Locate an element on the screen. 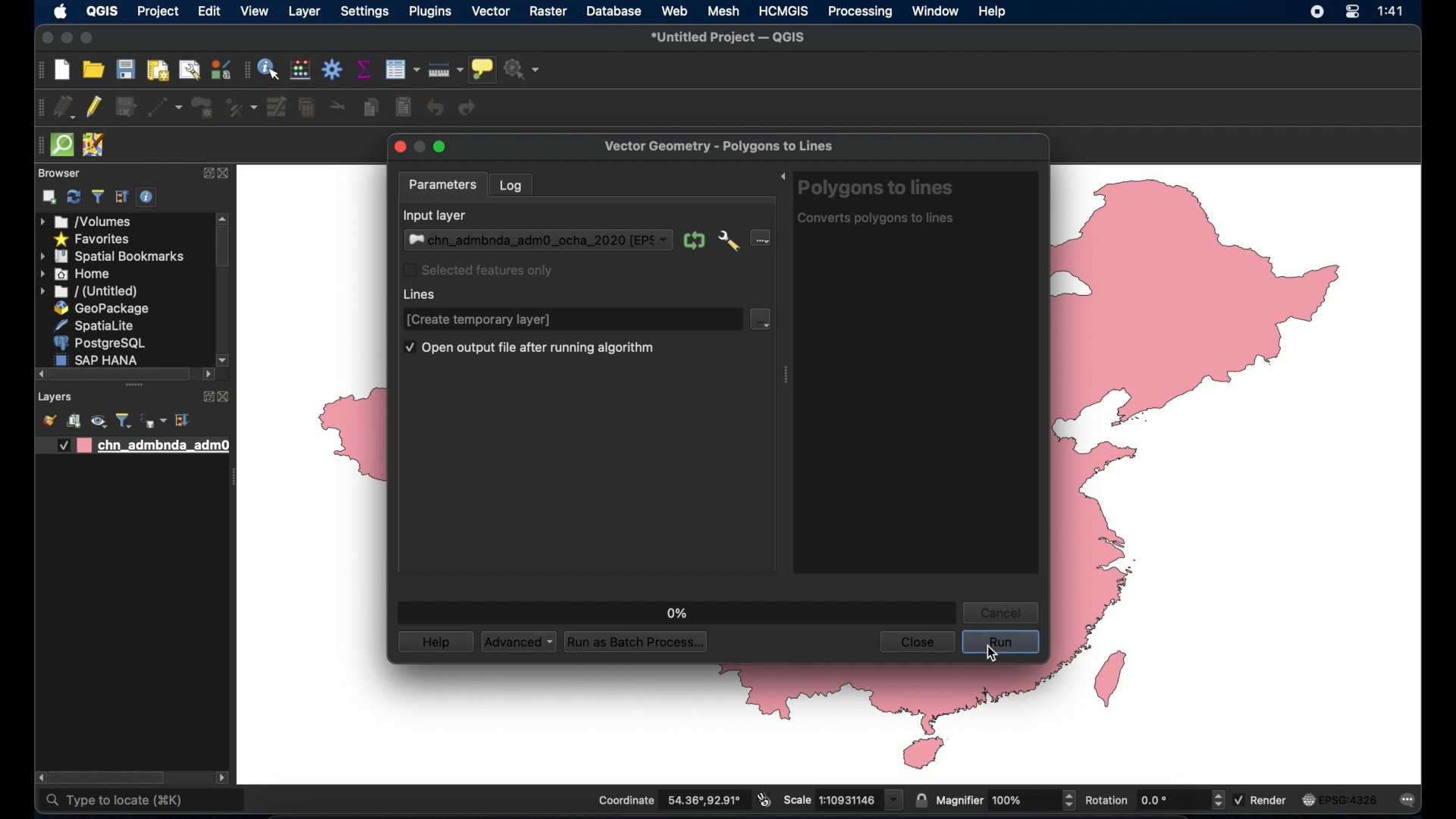 The height and width of the screenshot is (819, 1456). help is located at coordinates (994, 13).